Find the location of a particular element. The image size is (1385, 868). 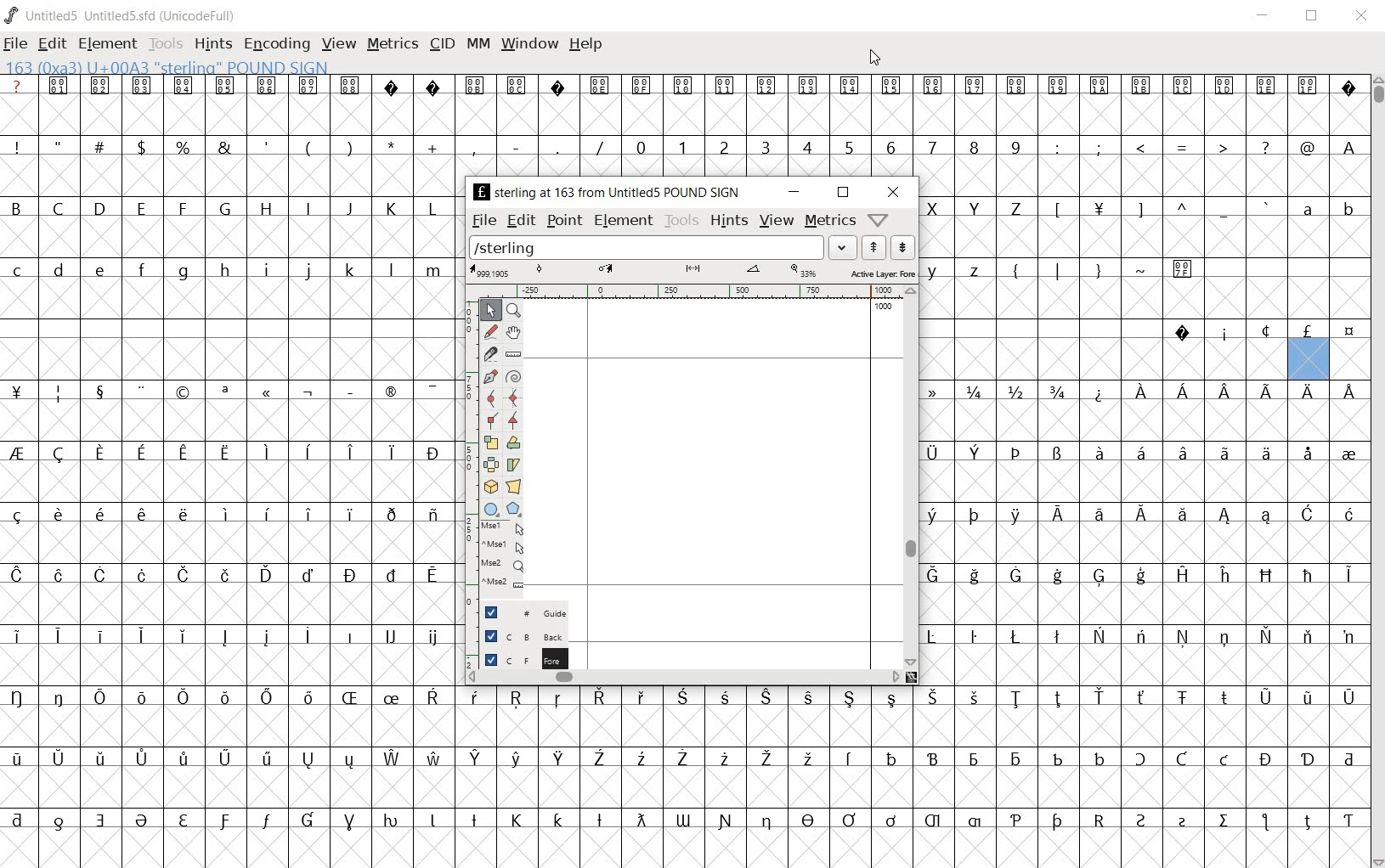

Symbol is located at coordinates (1099, 578).